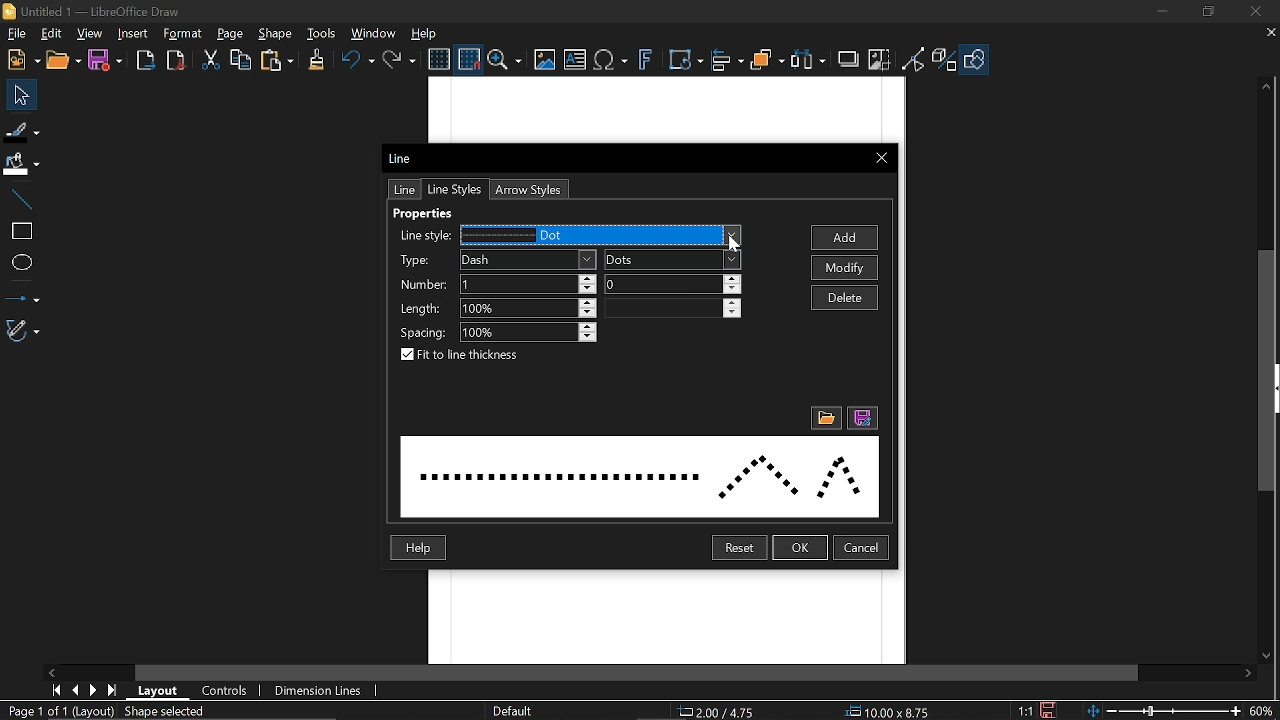 The width and height of the screenshot is (1280, 720). Describe the element at coordinates (1270, 658) in the screenshot. I see `Move down` at that location.